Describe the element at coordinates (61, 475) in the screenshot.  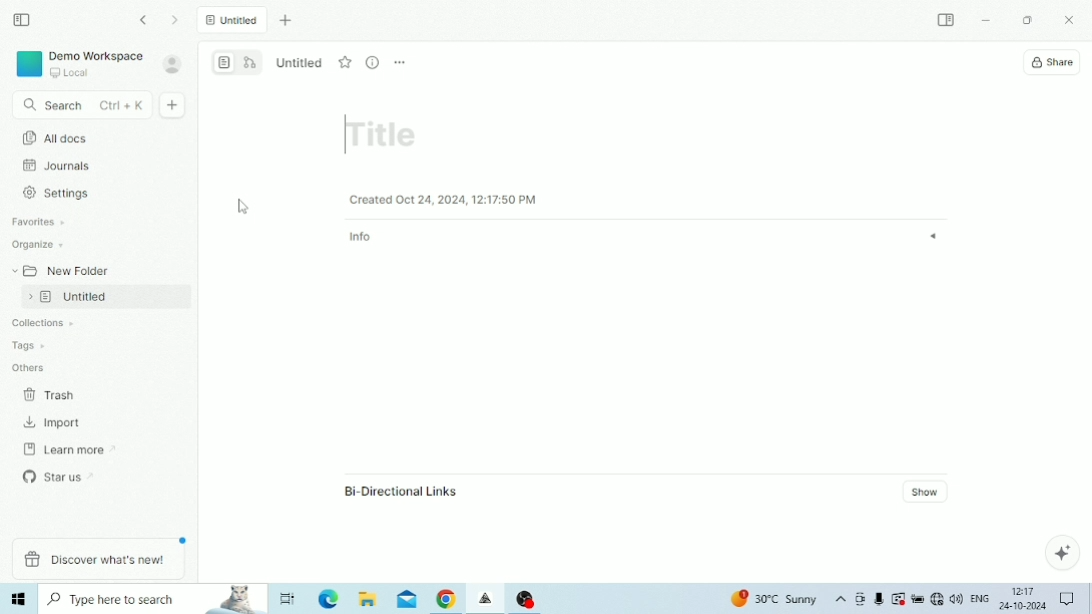
I see `Star us` at that location.